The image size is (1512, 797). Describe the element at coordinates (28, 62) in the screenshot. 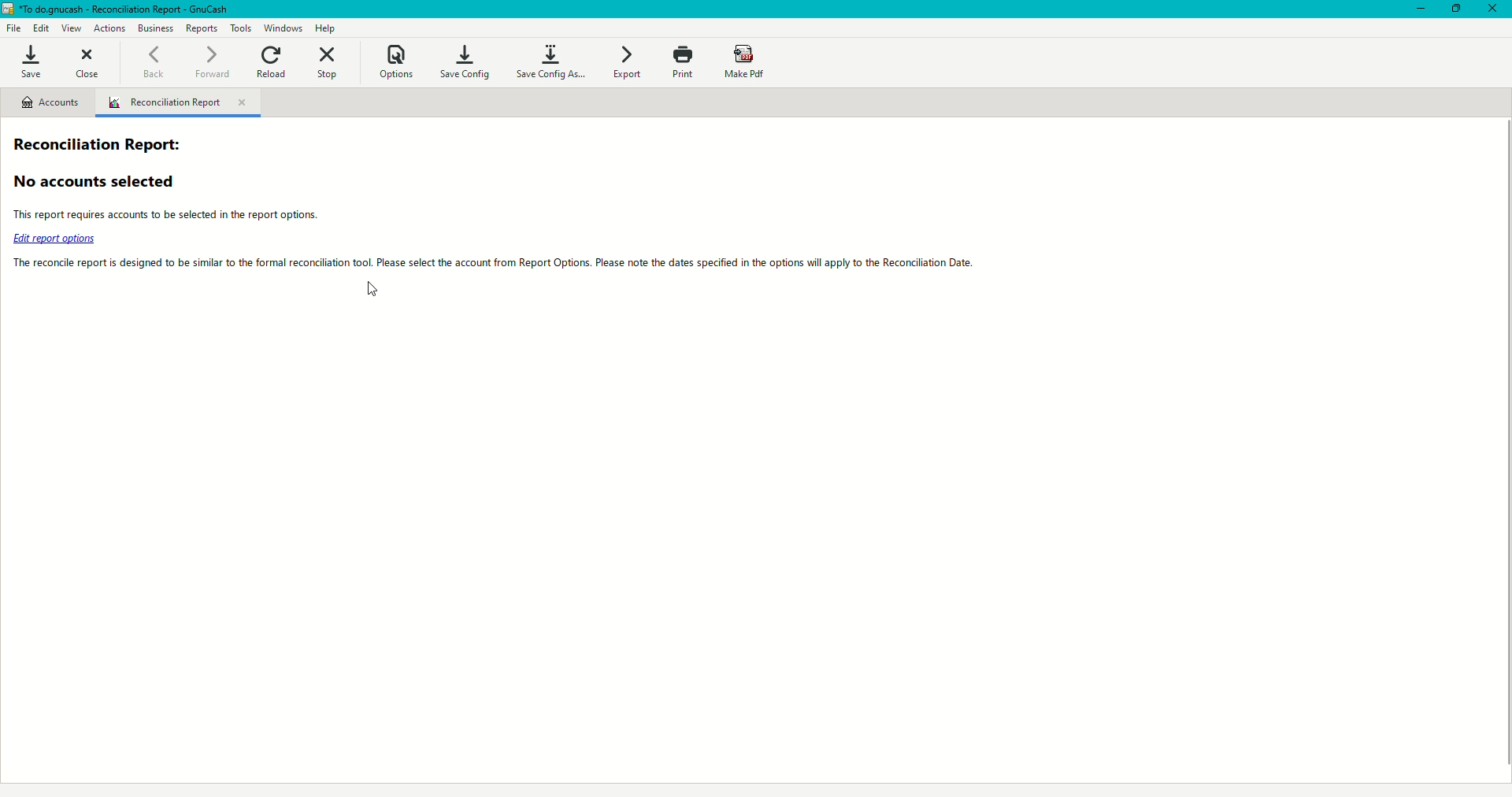

I see `Save` at that location.